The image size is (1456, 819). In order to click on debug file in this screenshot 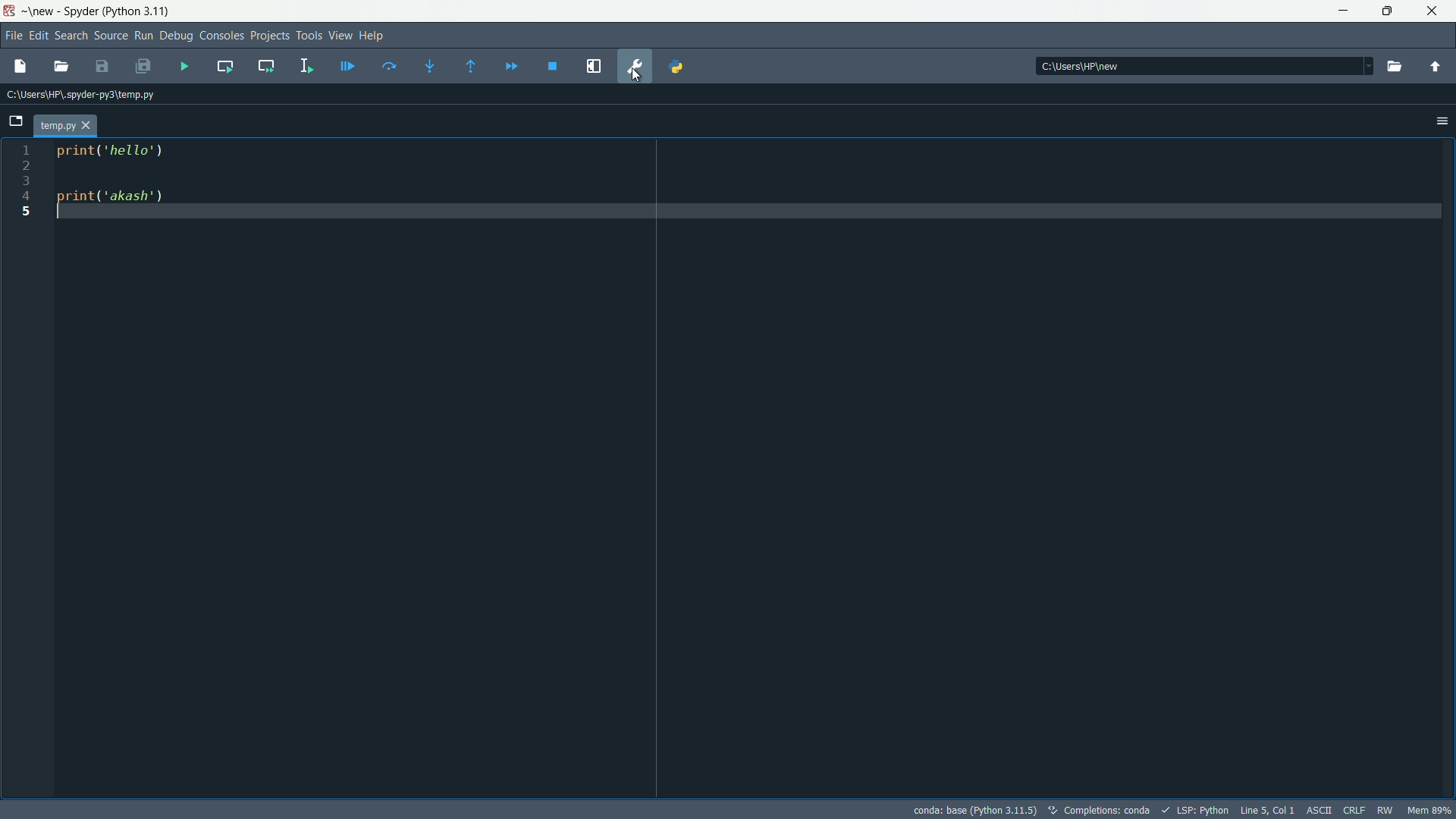, I will do `click(347, 67)`.